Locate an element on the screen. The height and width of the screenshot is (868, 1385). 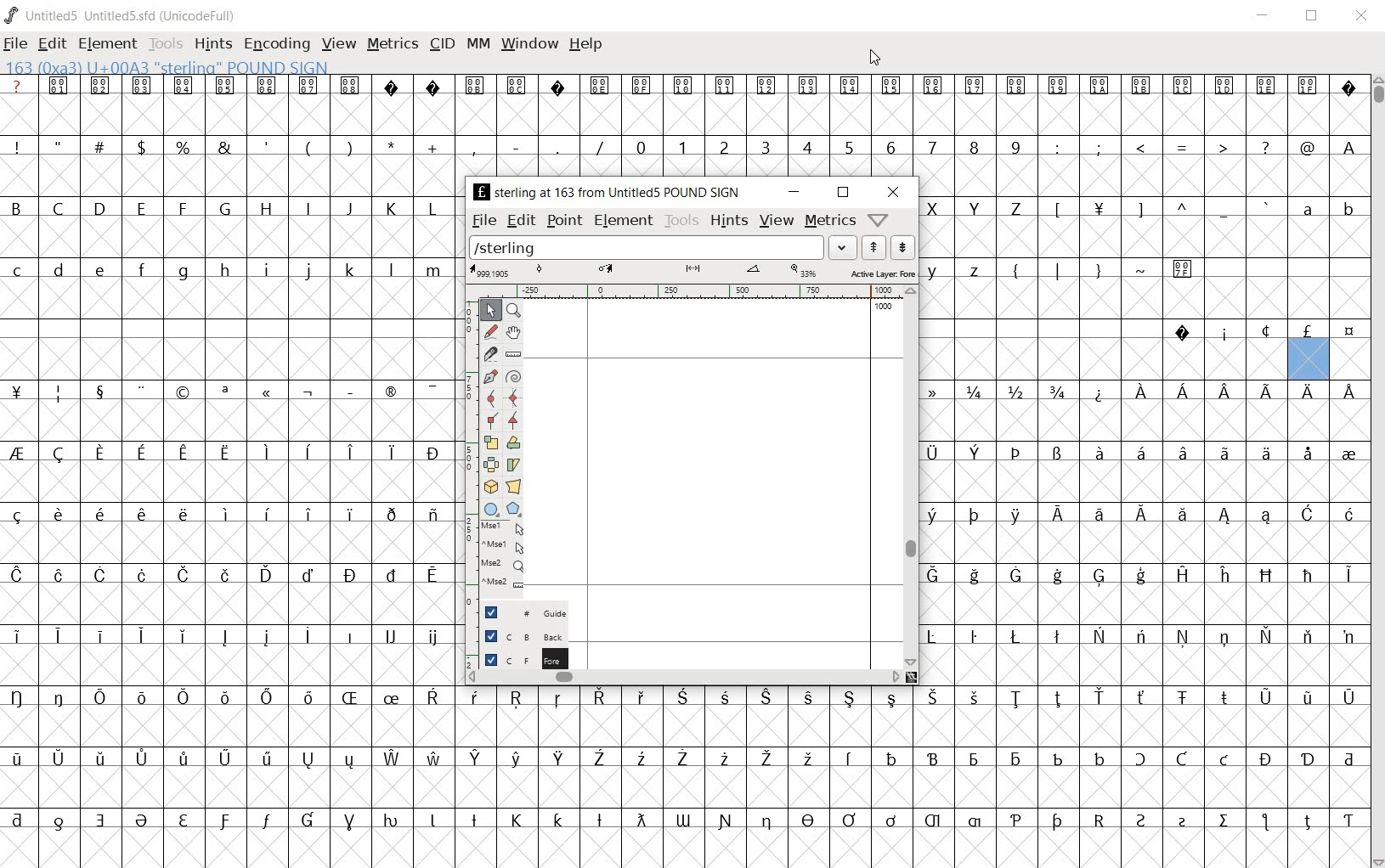
file is located at coordinates (483, 220).